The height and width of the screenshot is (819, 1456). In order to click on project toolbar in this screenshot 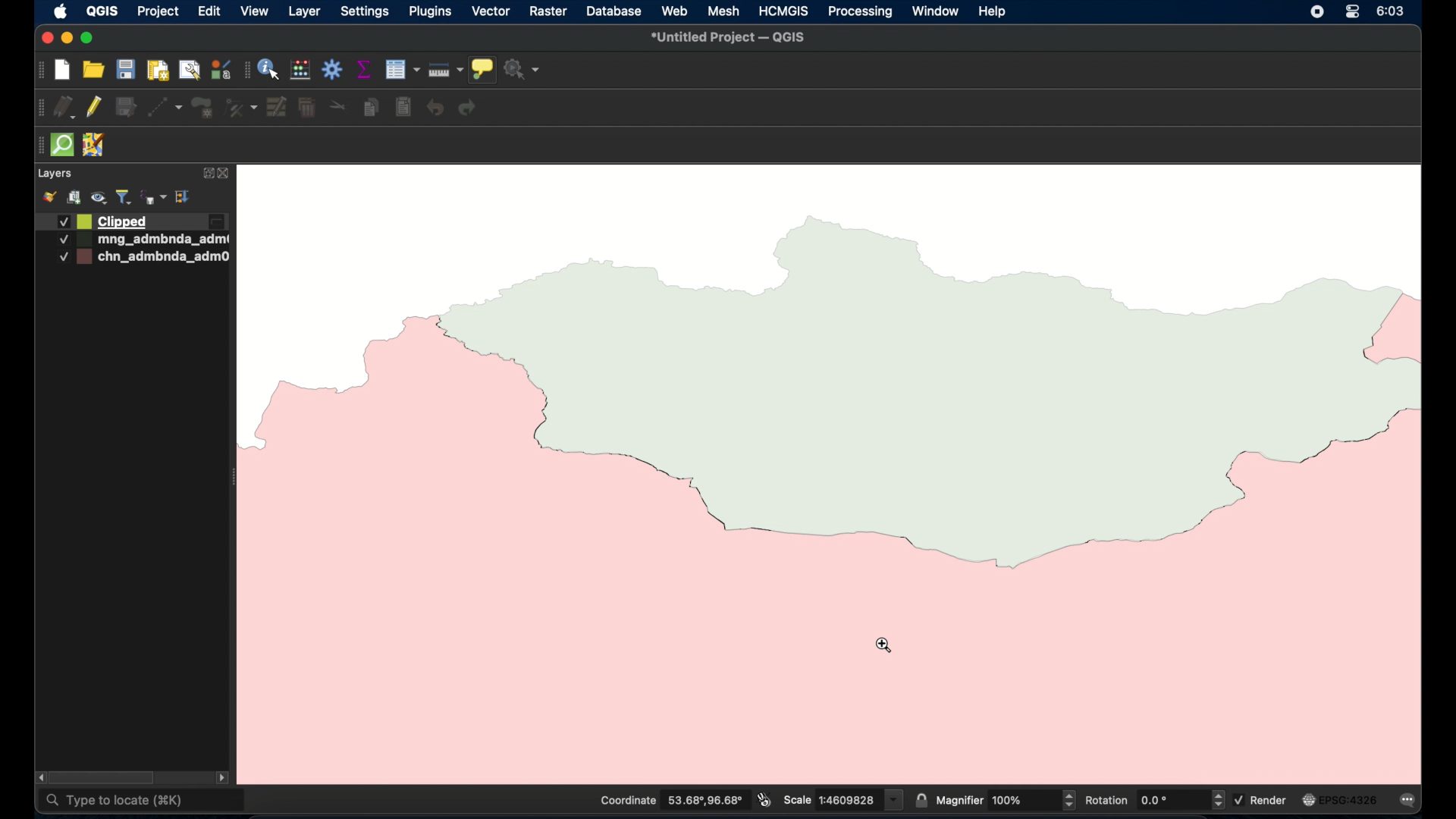, I will do `click(39, 71)`.